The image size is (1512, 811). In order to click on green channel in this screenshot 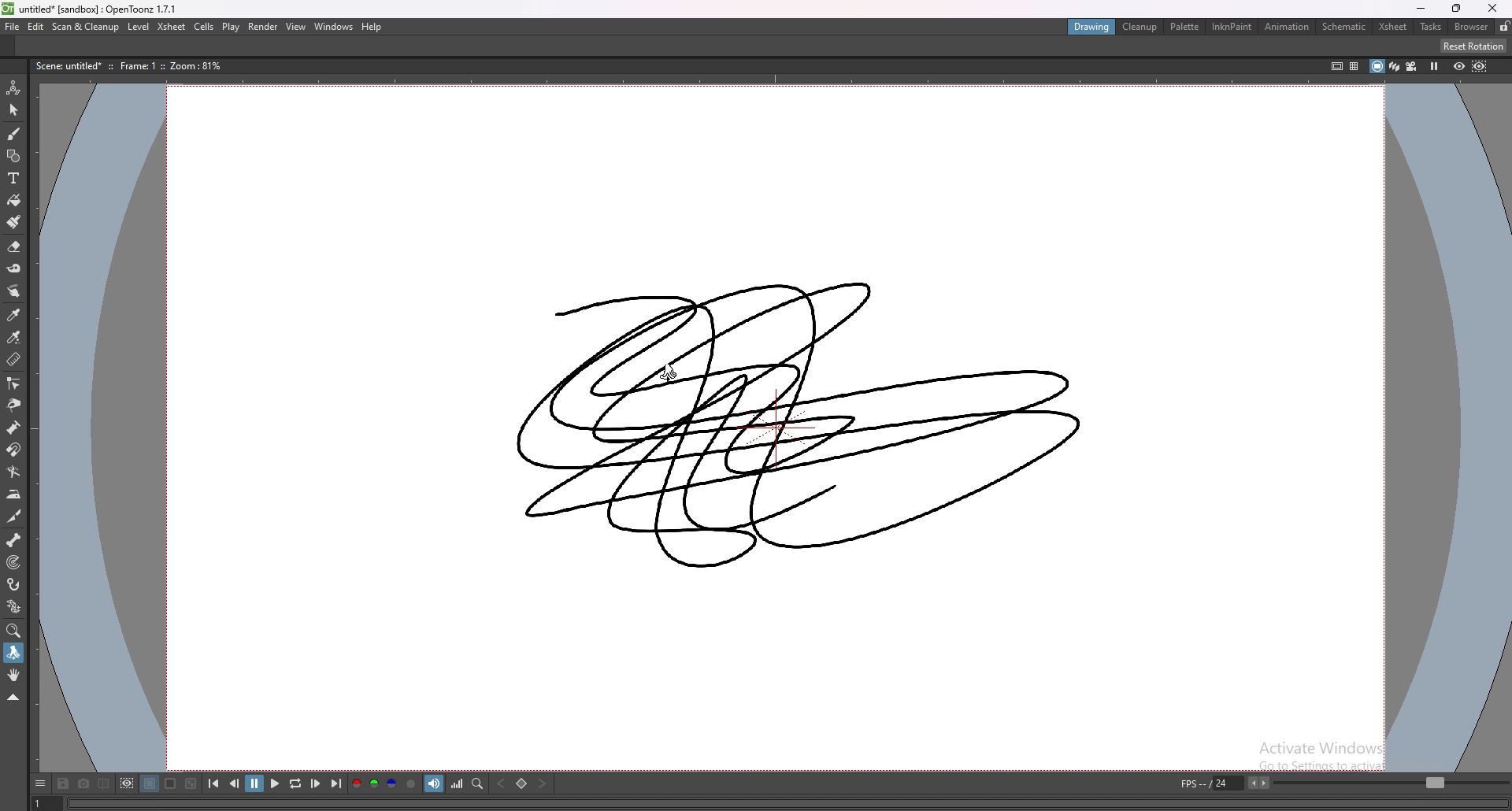, I will do `click(375, 783)`.